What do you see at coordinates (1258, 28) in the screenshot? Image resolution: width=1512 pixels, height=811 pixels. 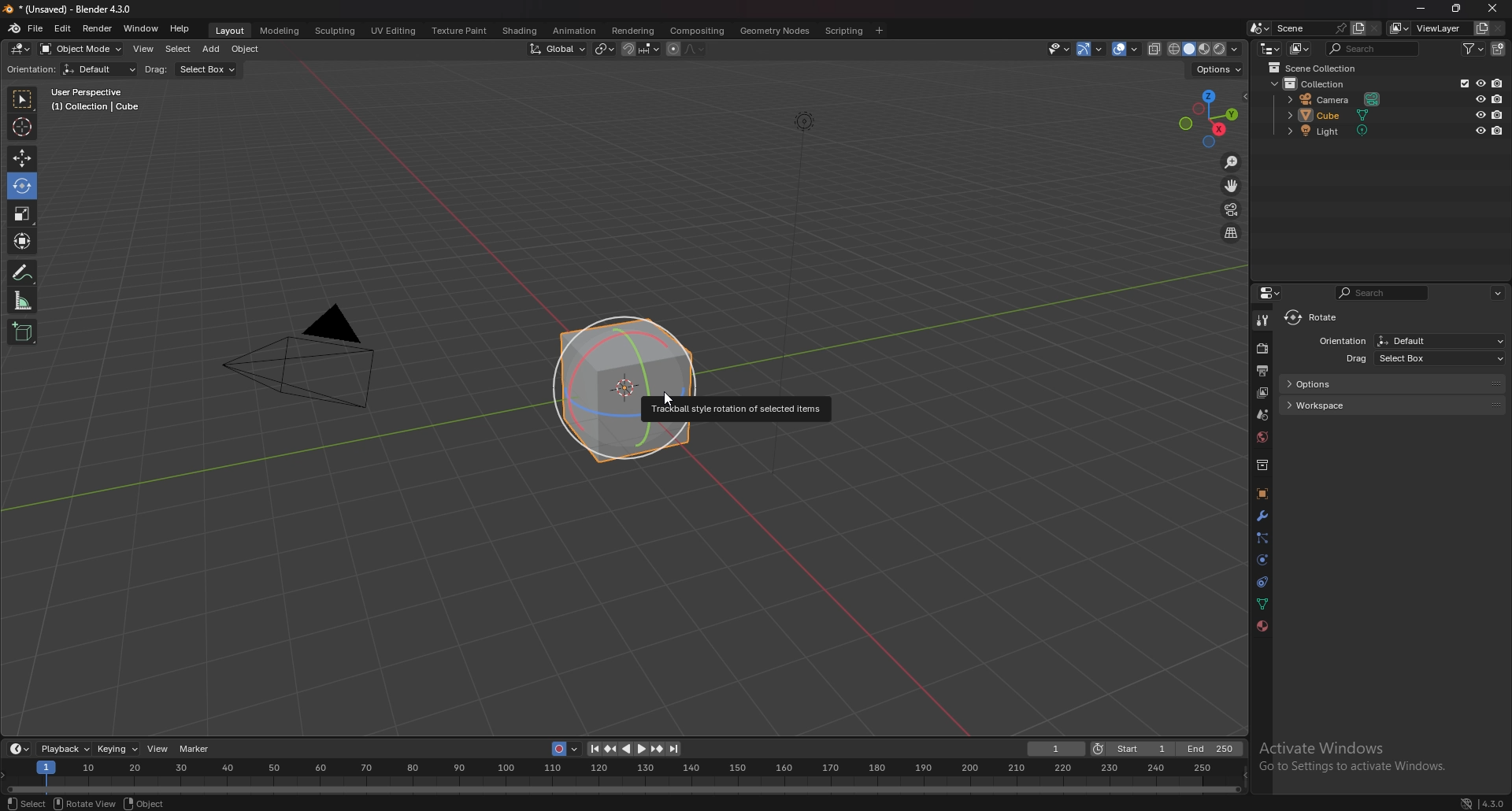 I see `browse scene` at bounding box center [1258, 28].